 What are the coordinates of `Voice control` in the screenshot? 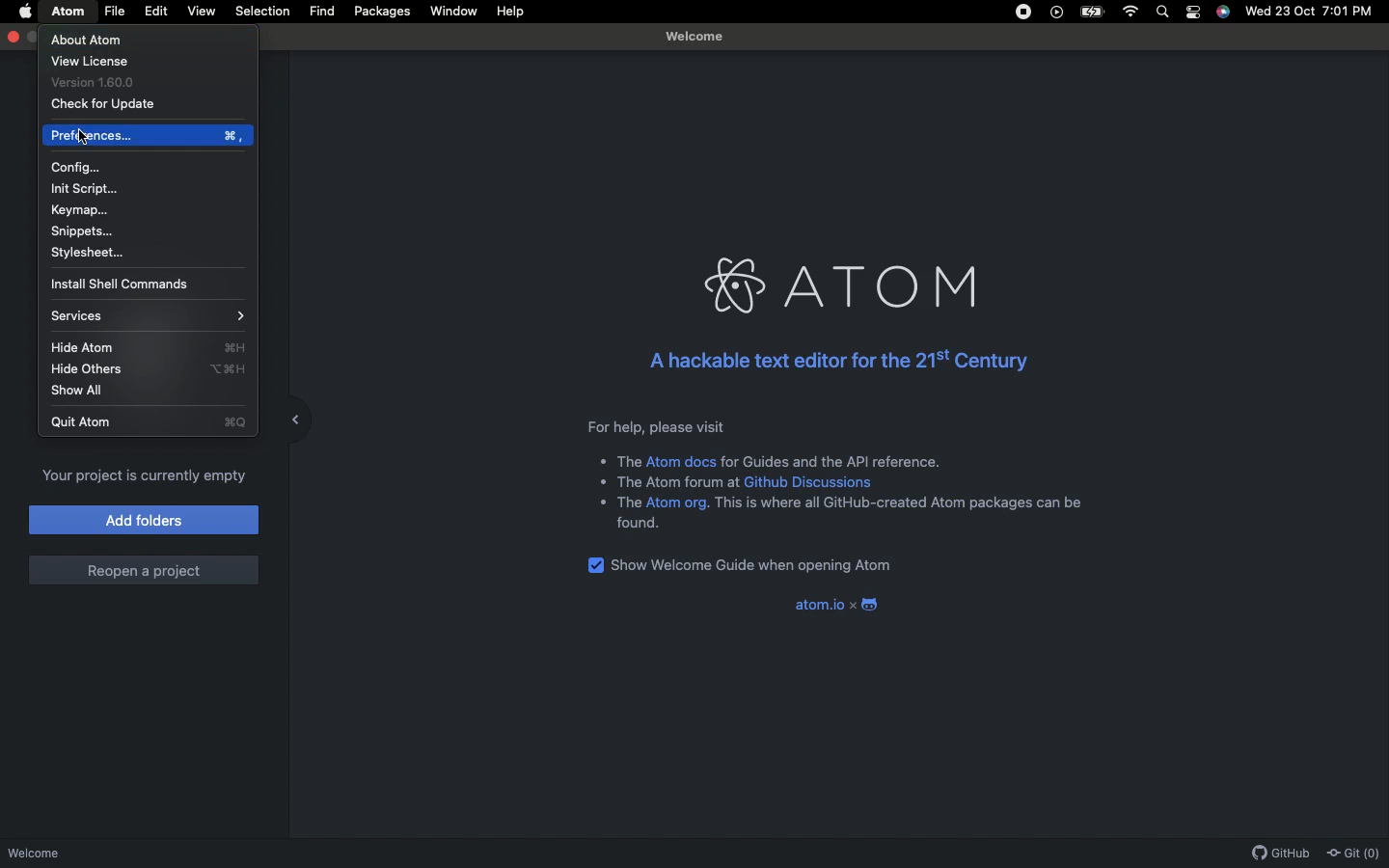 It's located at (1225, 12).